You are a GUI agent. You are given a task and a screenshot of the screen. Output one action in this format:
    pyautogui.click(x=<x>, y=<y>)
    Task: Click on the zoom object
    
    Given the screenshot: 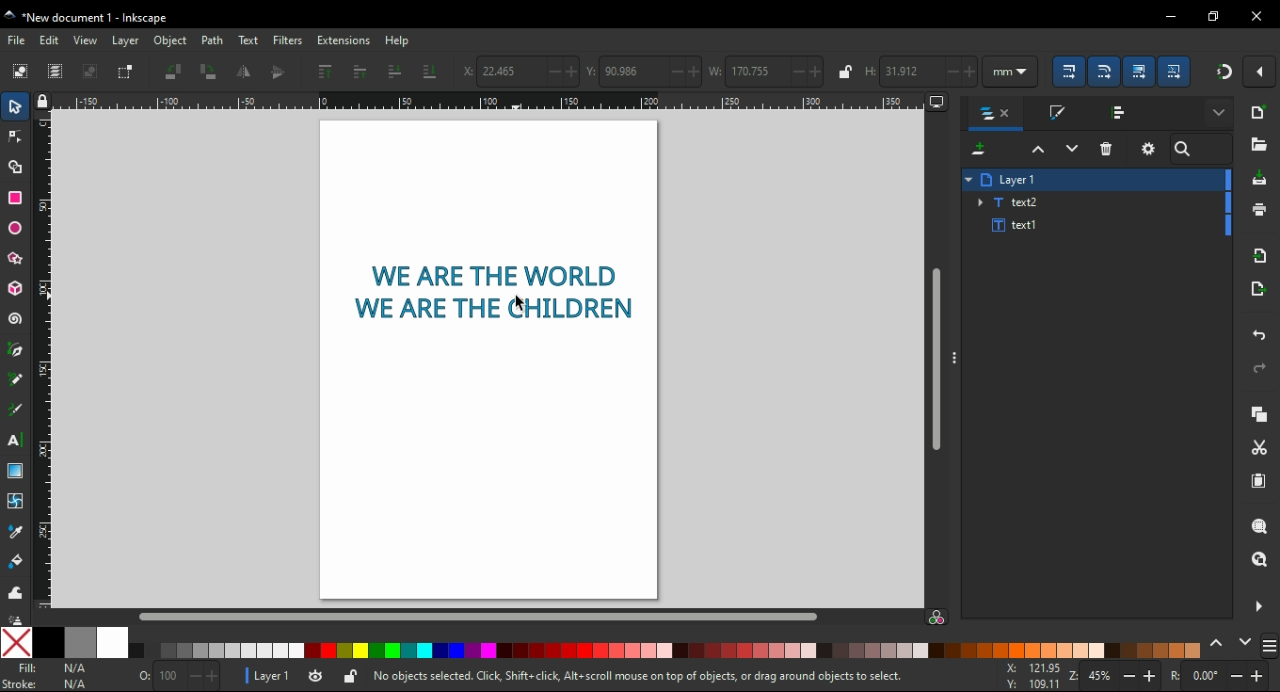 What is the action you would take?
    pyautogui.click(x=1258, y=526)
    